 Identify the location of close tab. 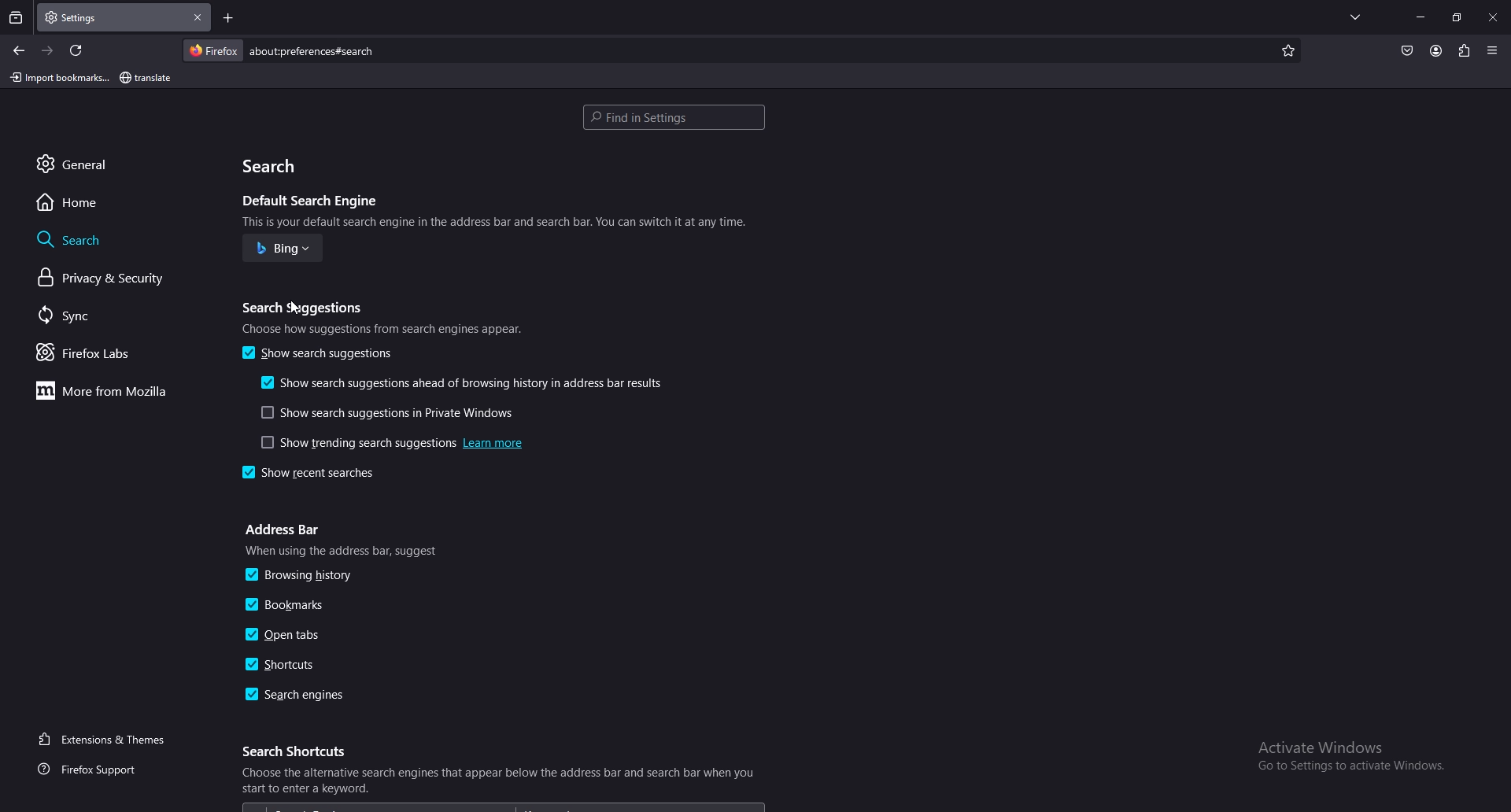
(200, 17).